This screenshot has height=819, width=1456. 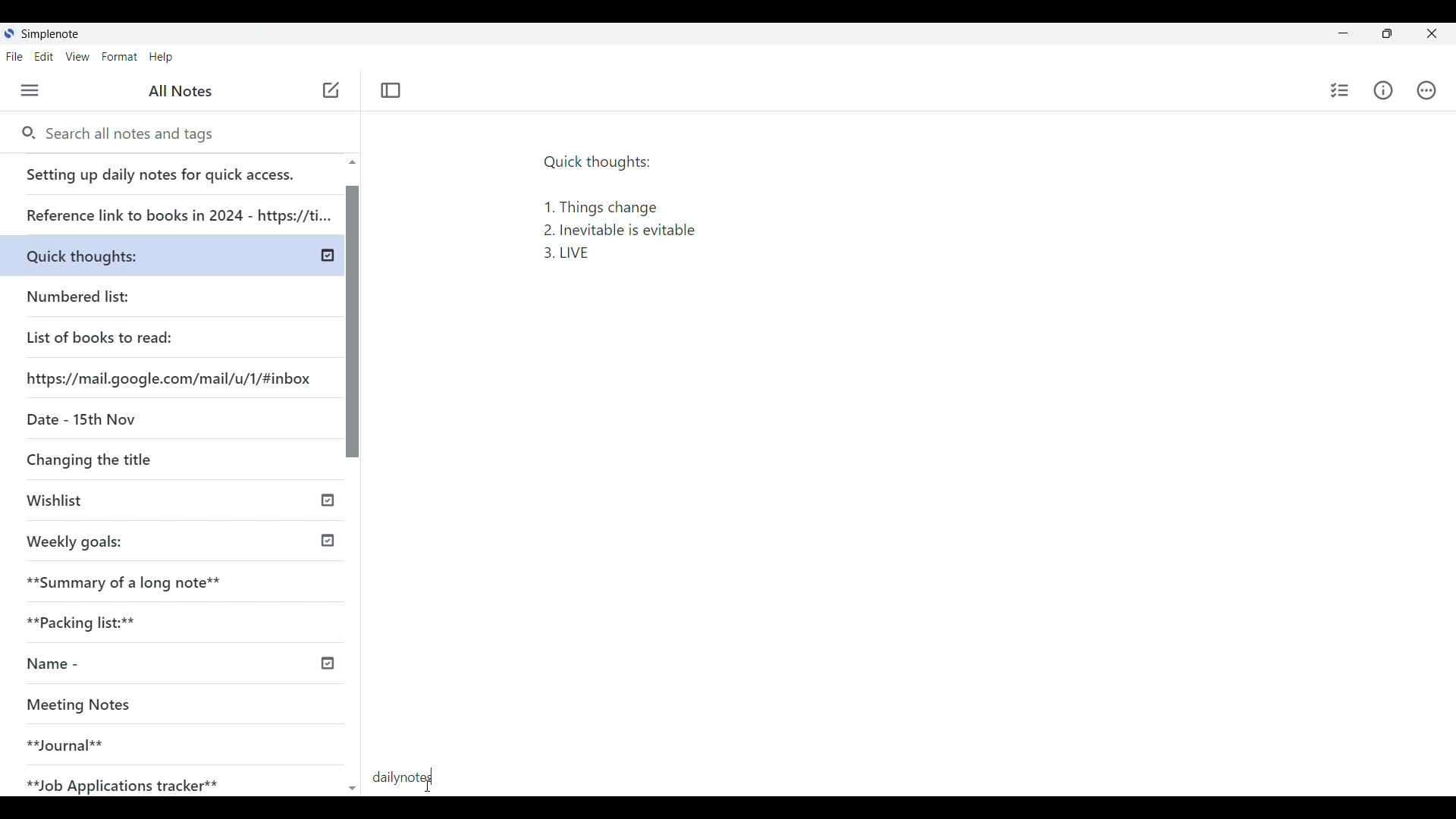 What do you see at coordinates (177, 209) in the screenshot?
I see `Reference link` at bounding box center [177, 209].